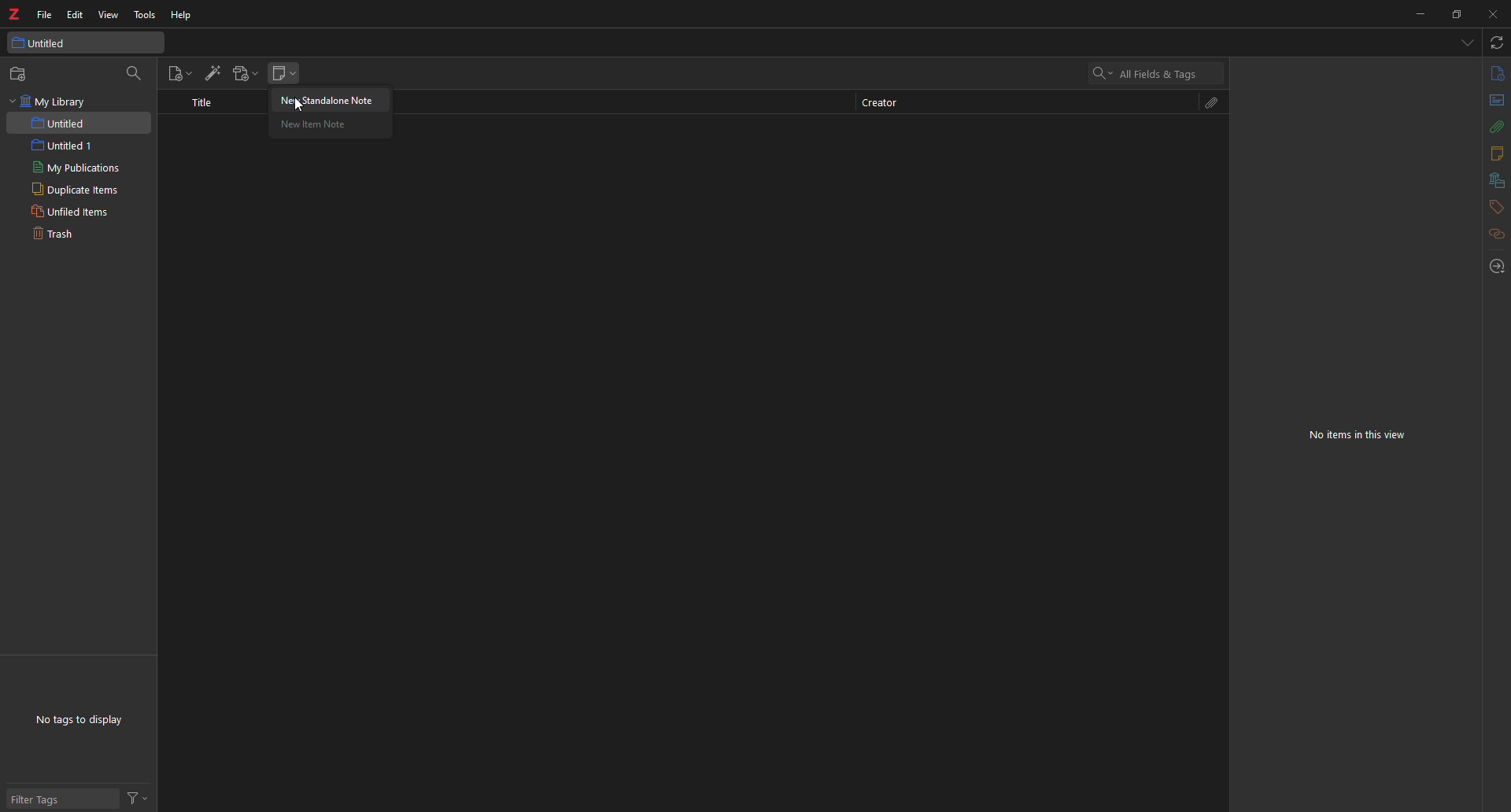  Describe the element at coordinates (1366, 435) in the screenshot. I see `no items in this view` at that location.